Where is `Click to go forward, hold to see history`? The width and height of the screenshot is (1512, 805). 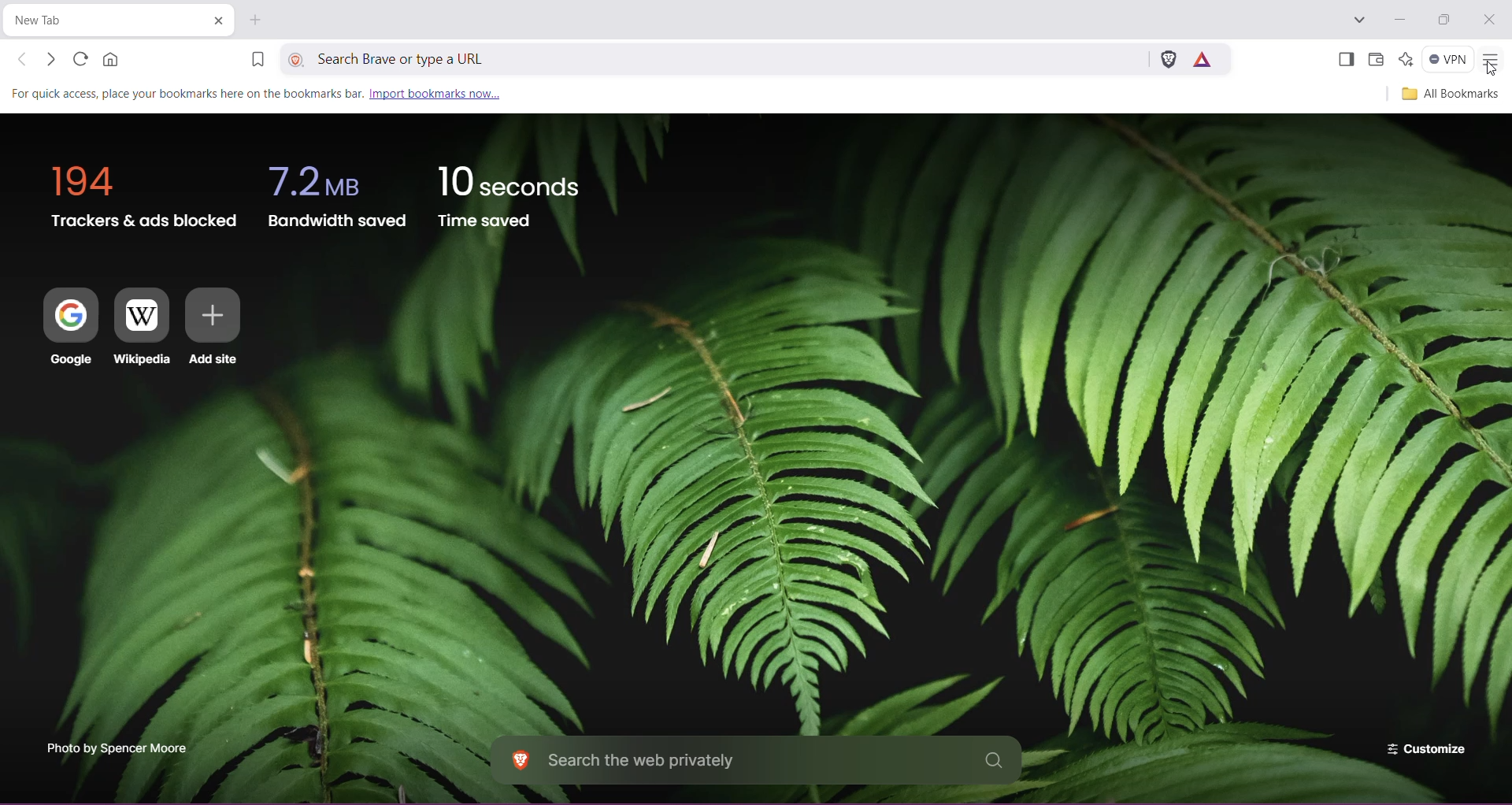
Click to go forward, hold to see history is located at coordinates (51, 60).